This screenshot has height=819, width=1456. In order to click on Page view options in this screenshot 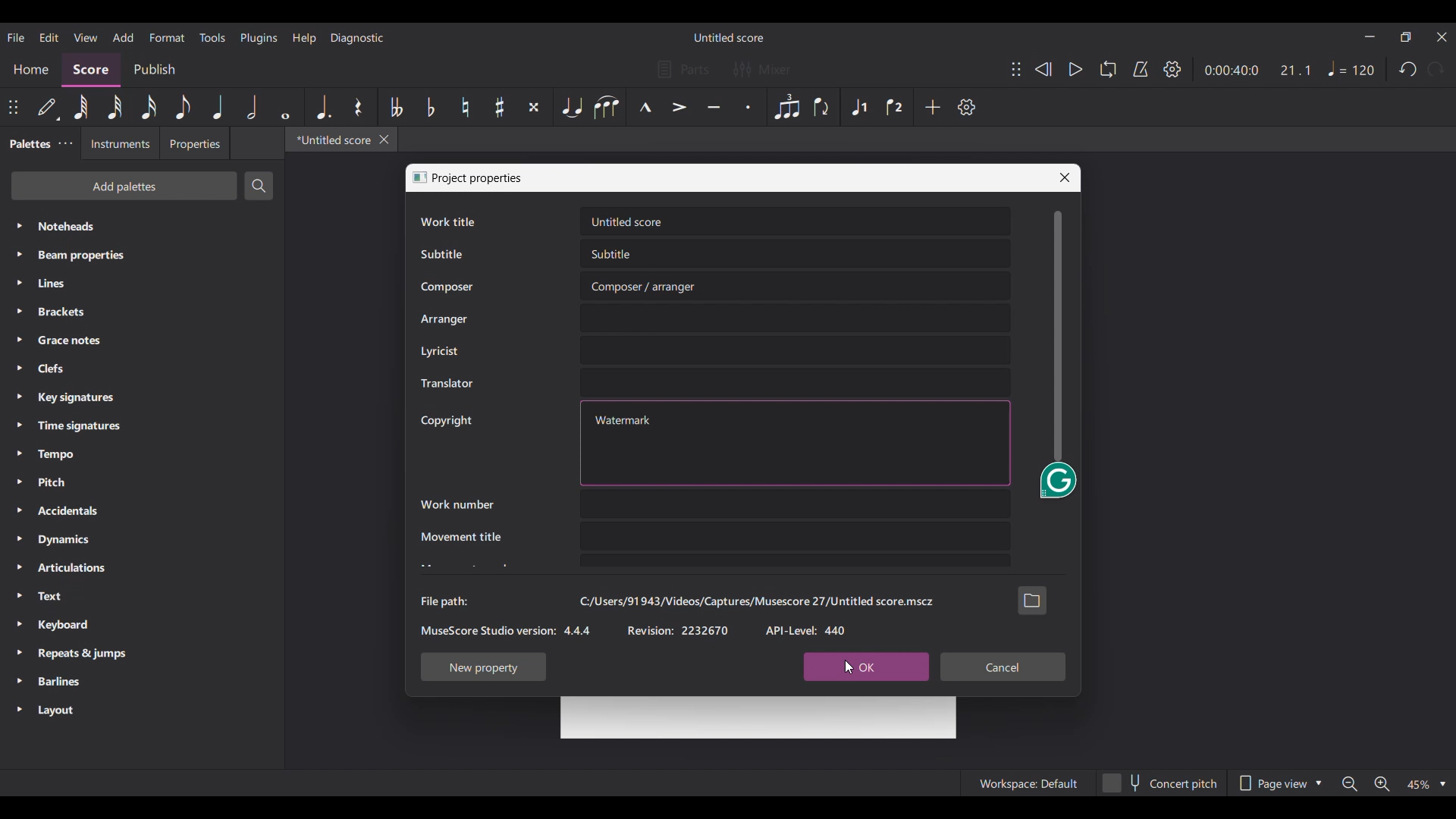, I will do `click(1278, 783)`.